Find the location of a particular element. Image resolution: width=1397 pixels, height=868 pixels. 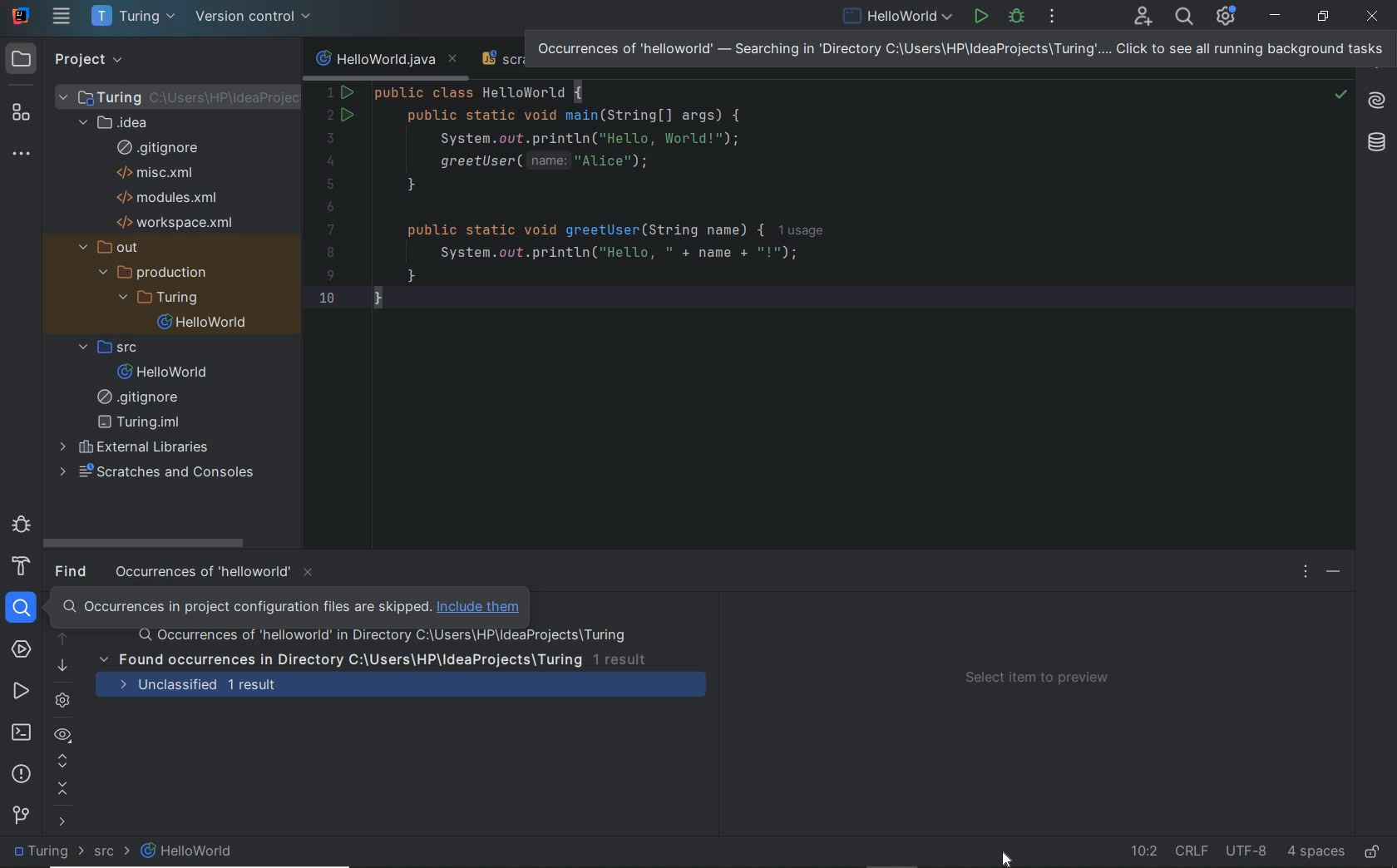

project file is located at coordinates (194, 96).